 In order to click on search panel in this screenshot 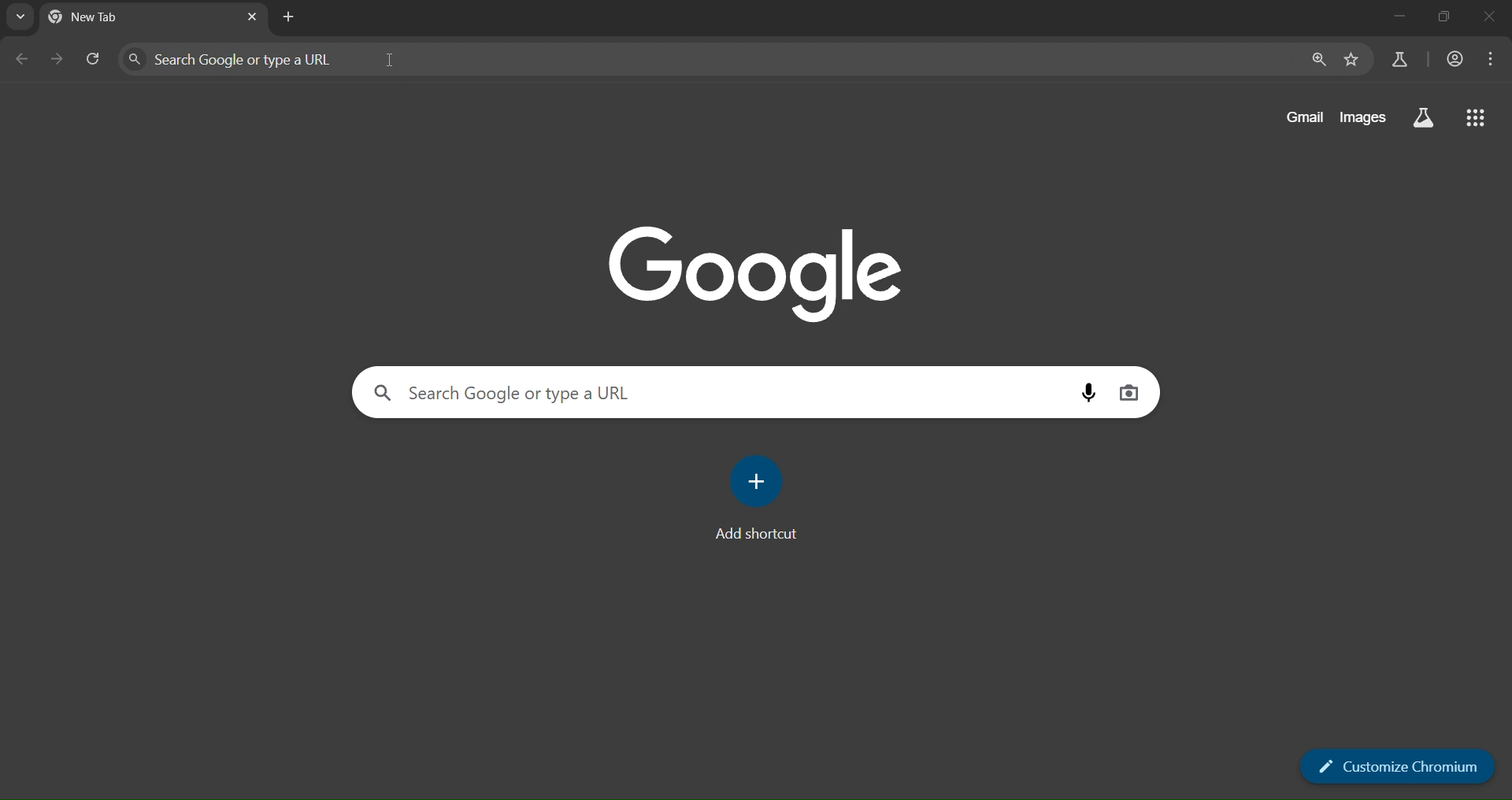, I will do `click(247, 57)`.